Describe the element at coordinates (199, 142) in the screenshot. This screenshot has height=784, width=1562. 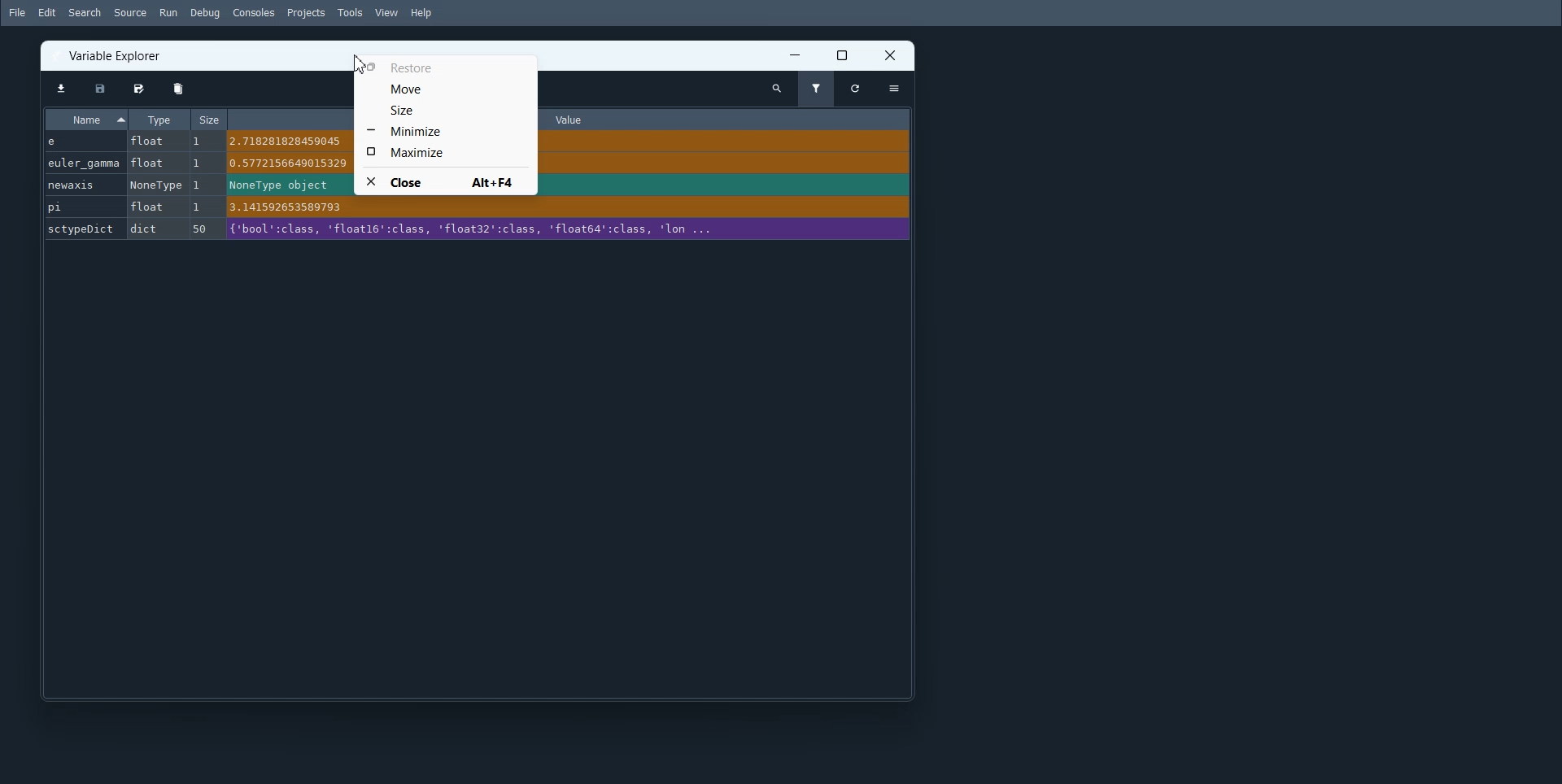
I see `1` at that location.